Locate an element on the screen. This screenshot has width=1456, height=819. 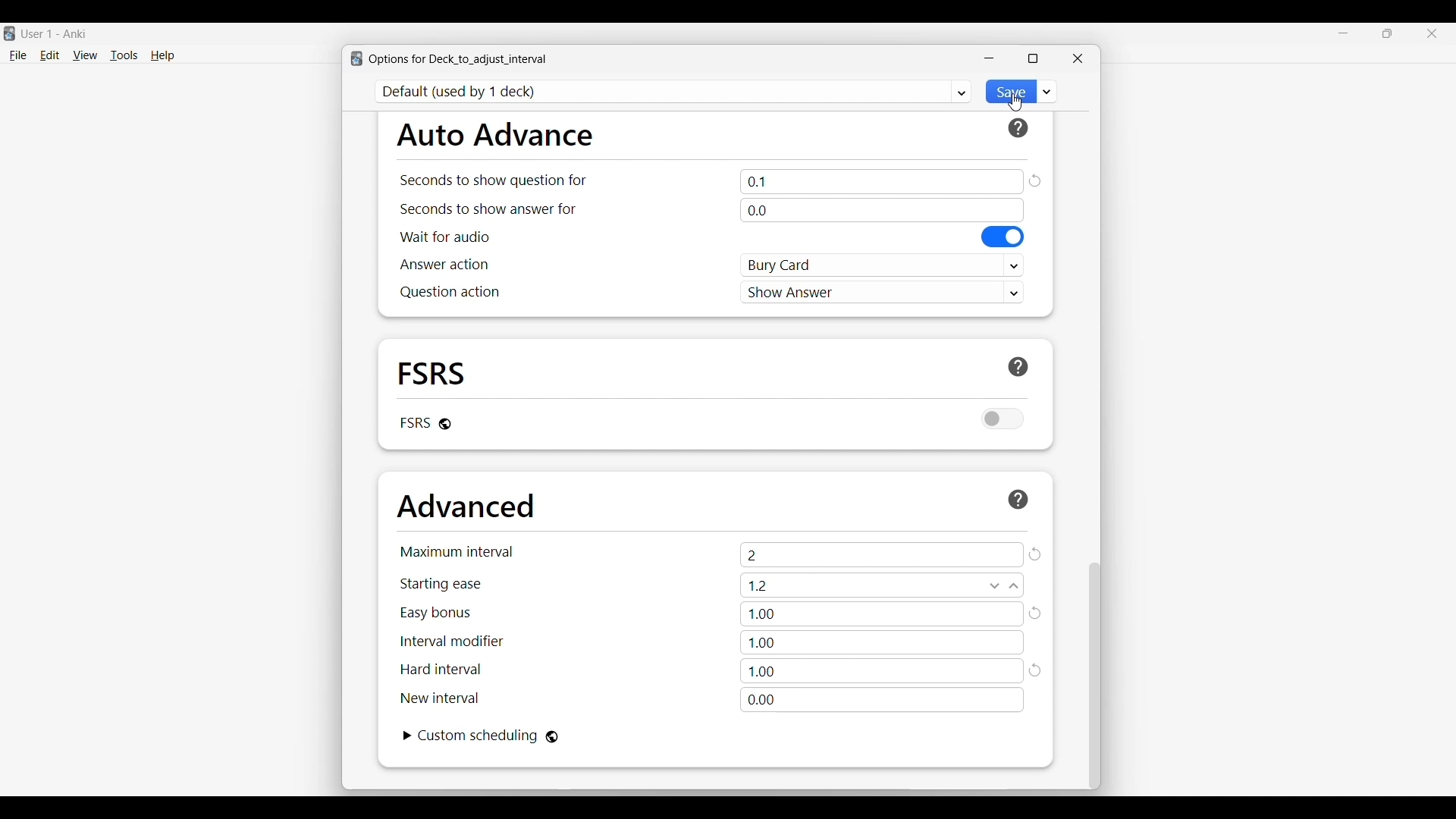
Show interface in smaller tab is located at coordinates (1388, 33).